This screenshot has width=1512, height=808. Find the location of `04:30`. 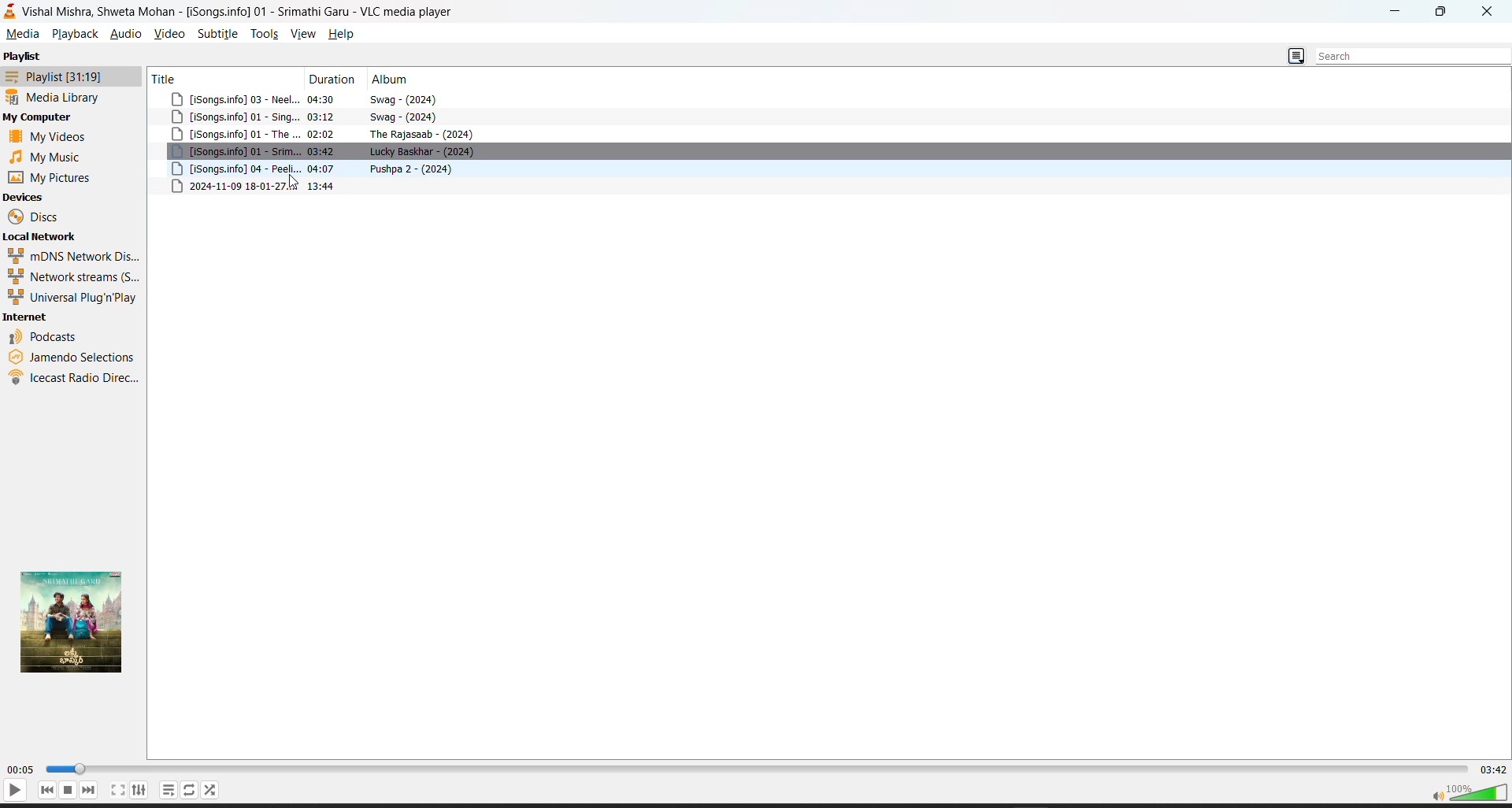

04:30 is located at coordinates (324, 99).